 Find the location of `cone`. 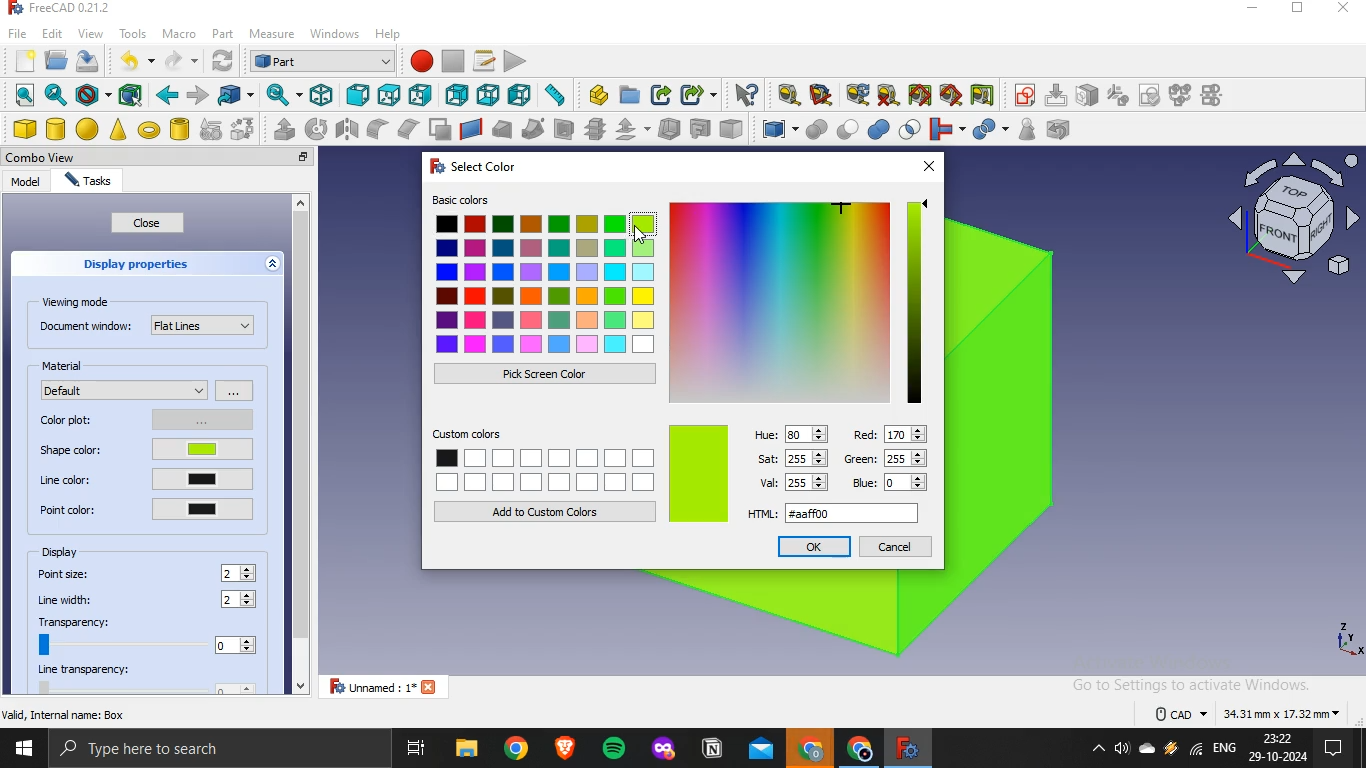

cone is located at coordinates (118, 129).